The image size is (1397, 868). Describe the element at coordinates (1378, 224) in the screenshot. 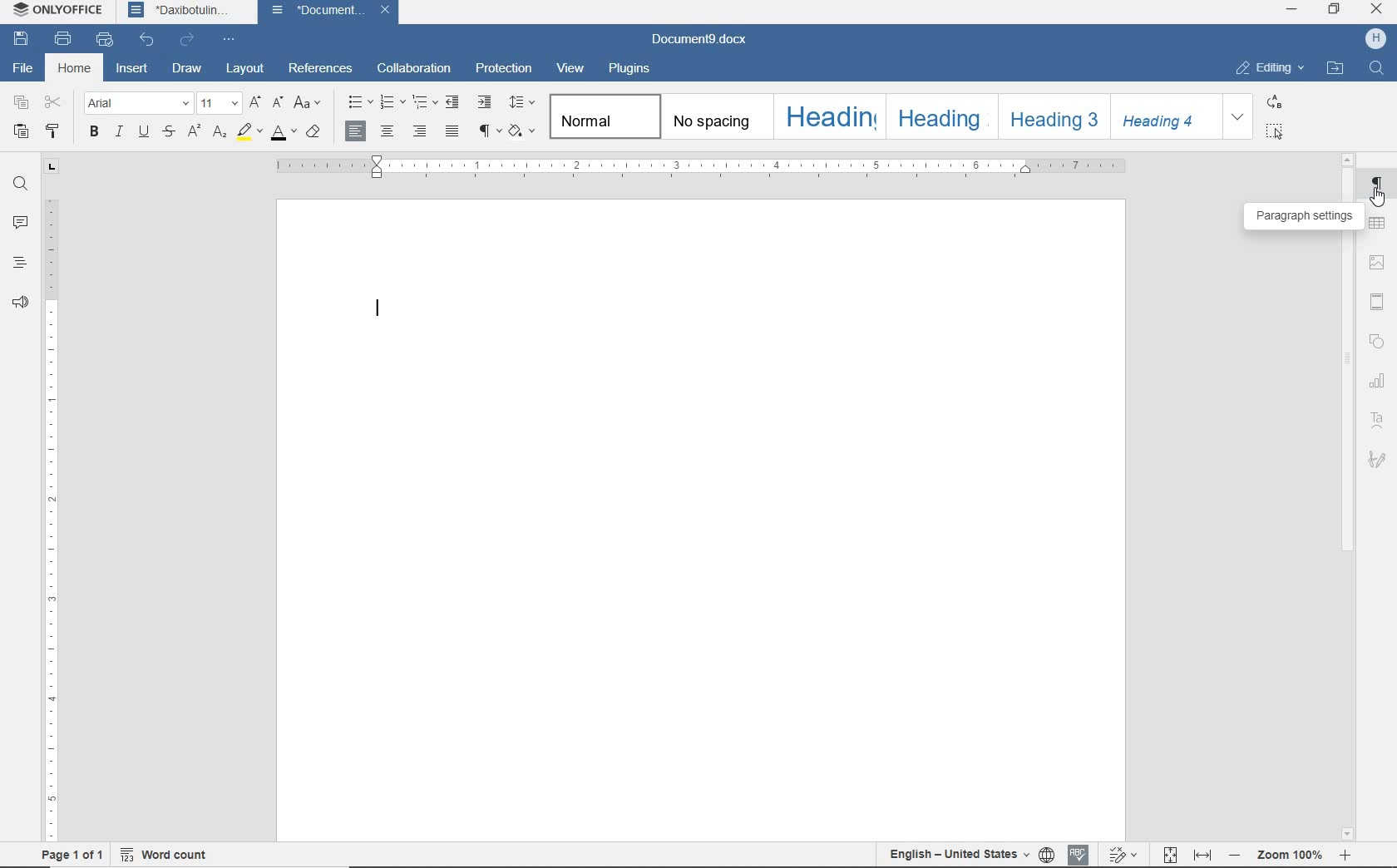

I see `table` at that location.